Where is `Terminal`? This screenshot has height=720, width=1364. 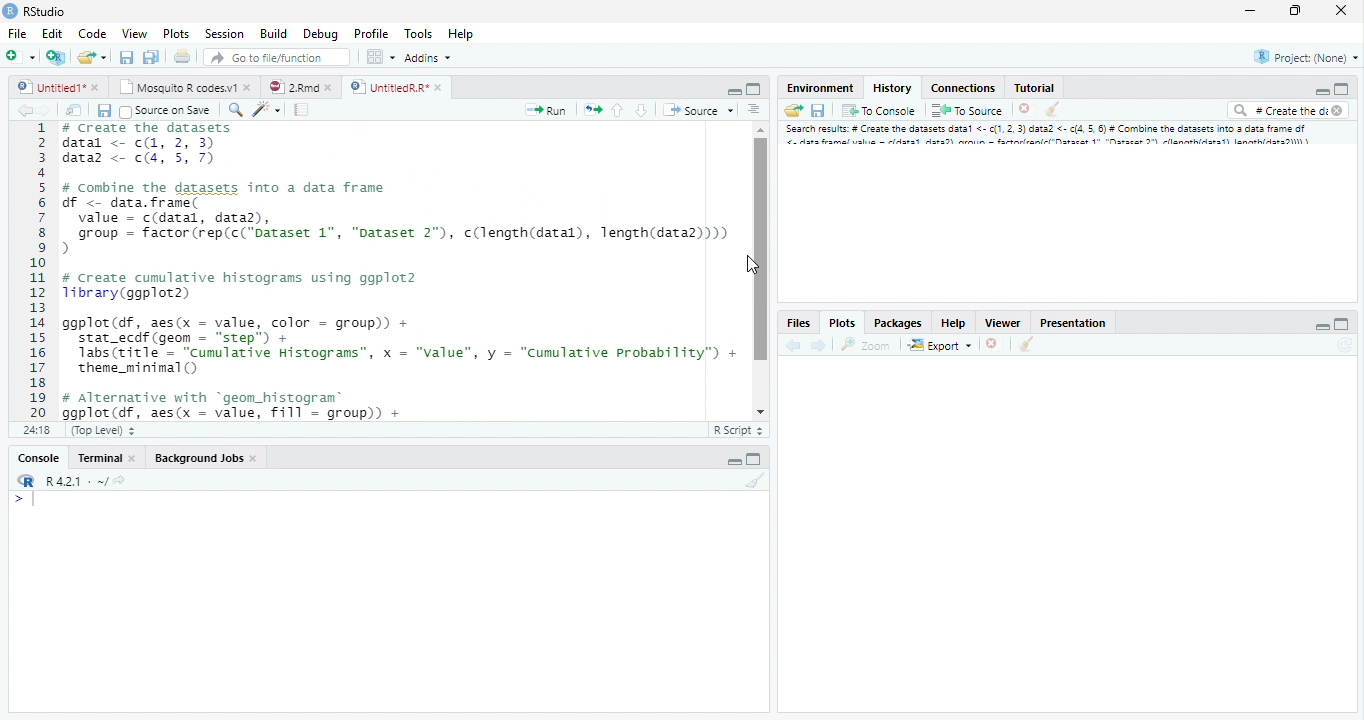
Terminal is located at coordinates (107, 457).